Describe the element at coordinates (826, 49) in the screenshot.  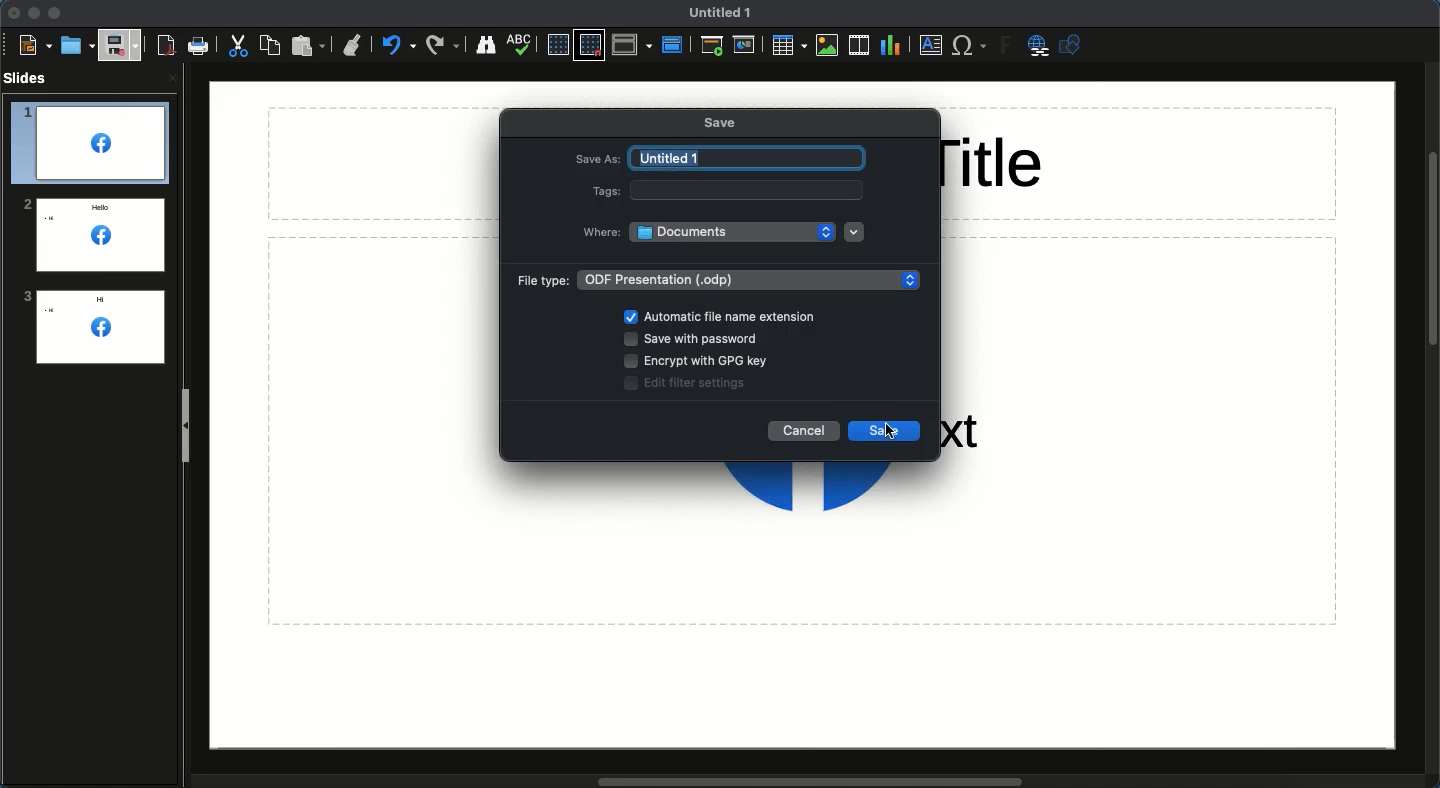
I see `Images` at that location.